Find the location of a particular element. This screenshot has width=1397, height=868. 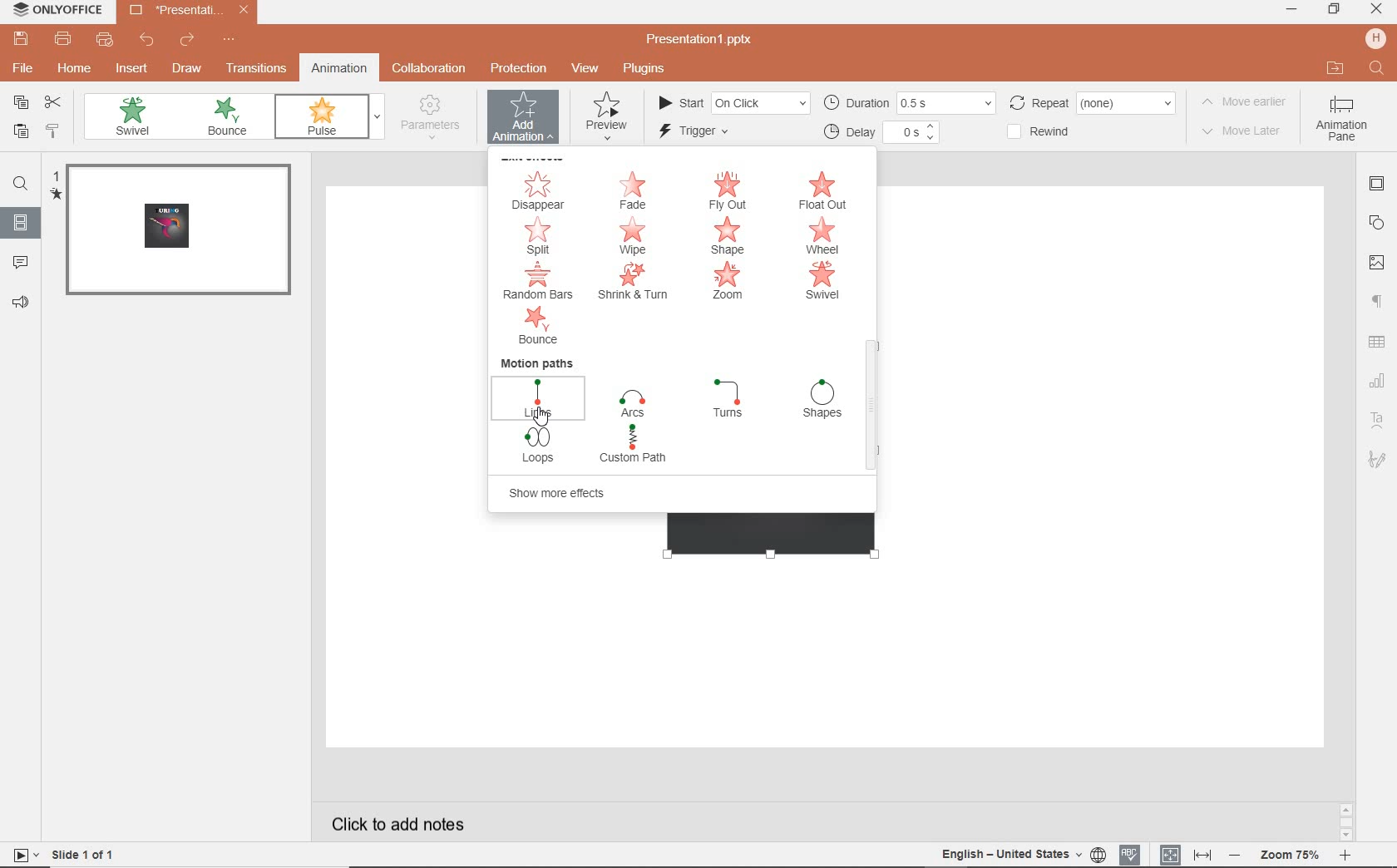

image is located at coordinates (1379, 264).